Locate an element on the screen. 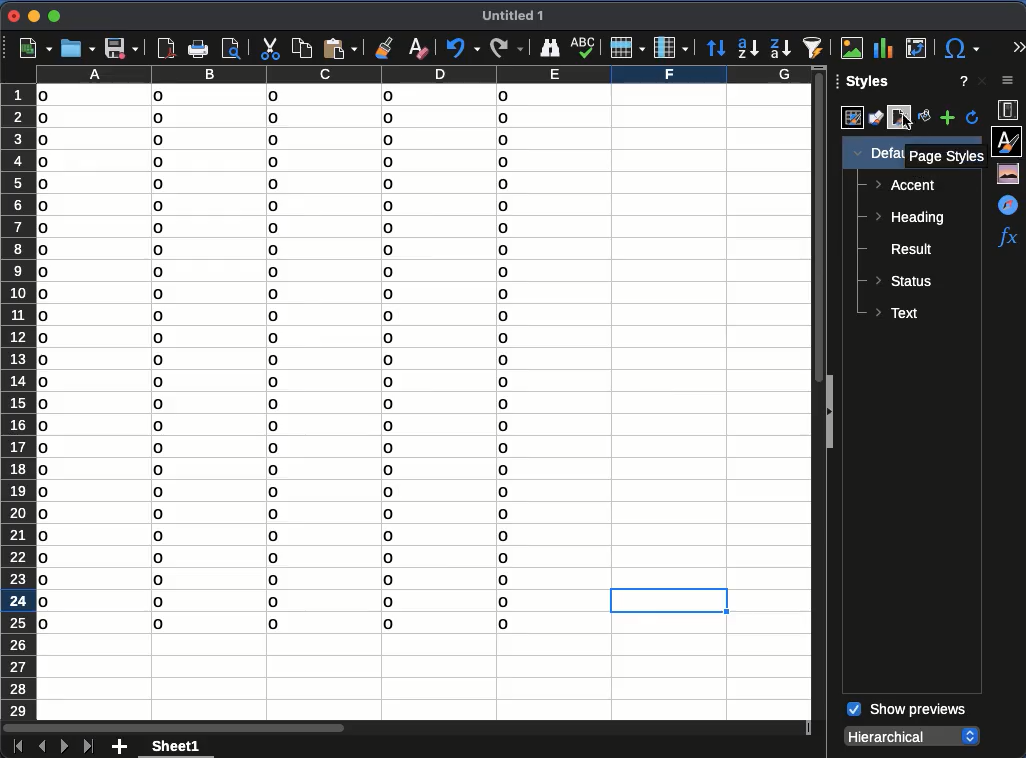 This screenshot has width=1026, height=758. sort is located at coordinates (715, 48).